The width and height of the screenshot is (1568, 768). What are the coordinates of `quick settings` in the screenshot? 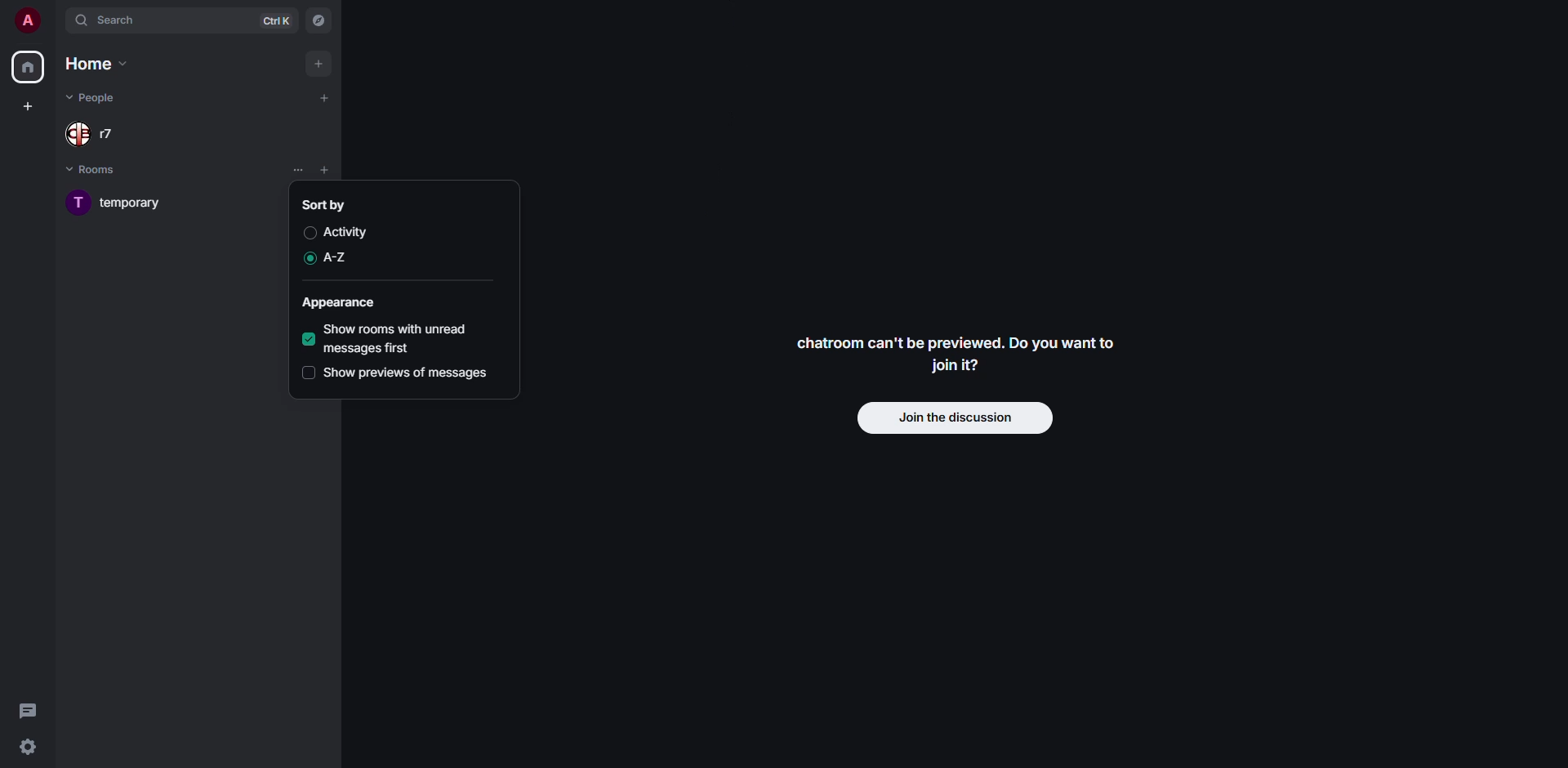 It's located at (30, 746).